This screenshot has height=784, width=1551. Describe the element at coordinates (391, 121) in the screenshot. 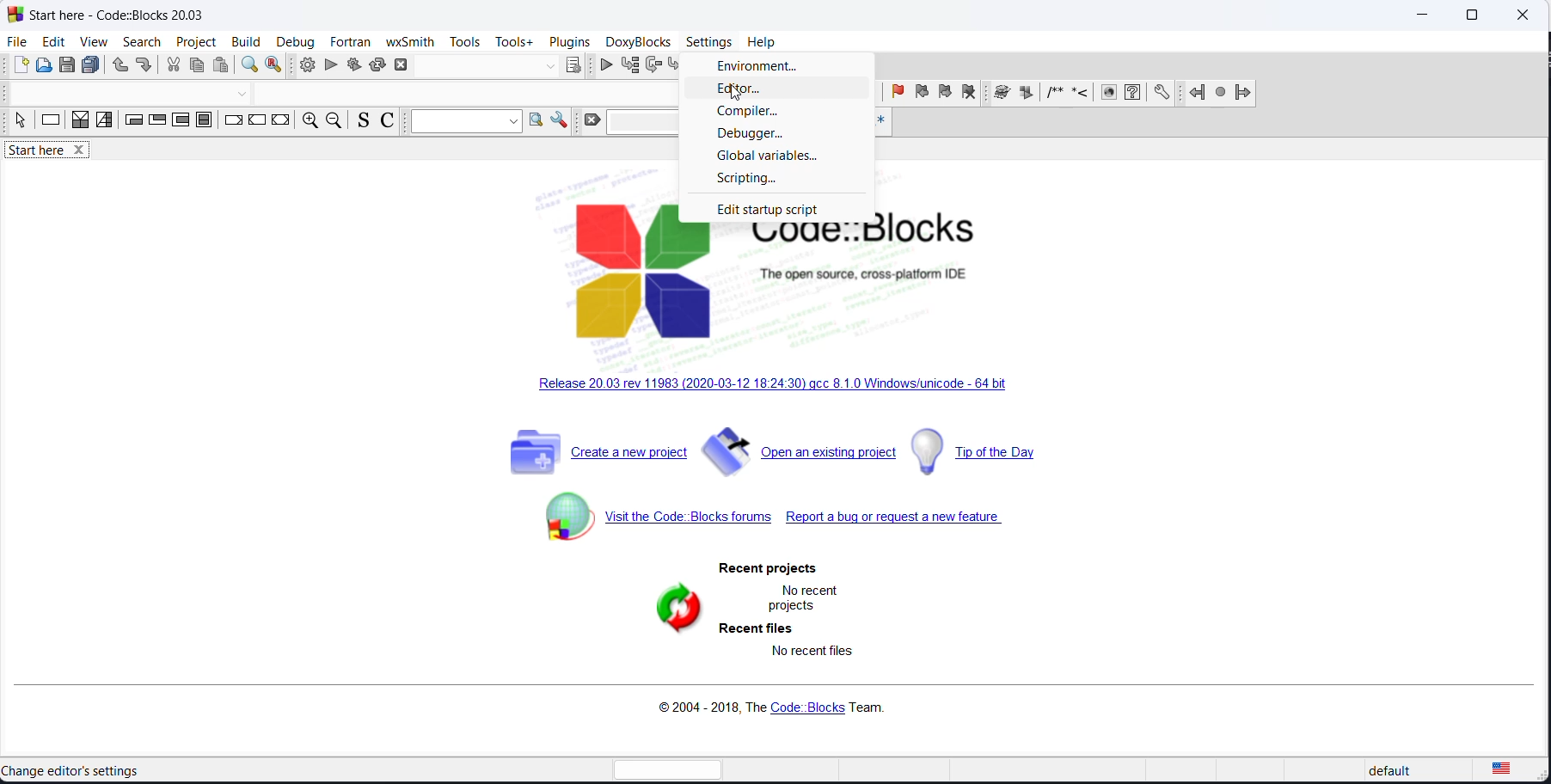

I see `toggle comments` at that location.